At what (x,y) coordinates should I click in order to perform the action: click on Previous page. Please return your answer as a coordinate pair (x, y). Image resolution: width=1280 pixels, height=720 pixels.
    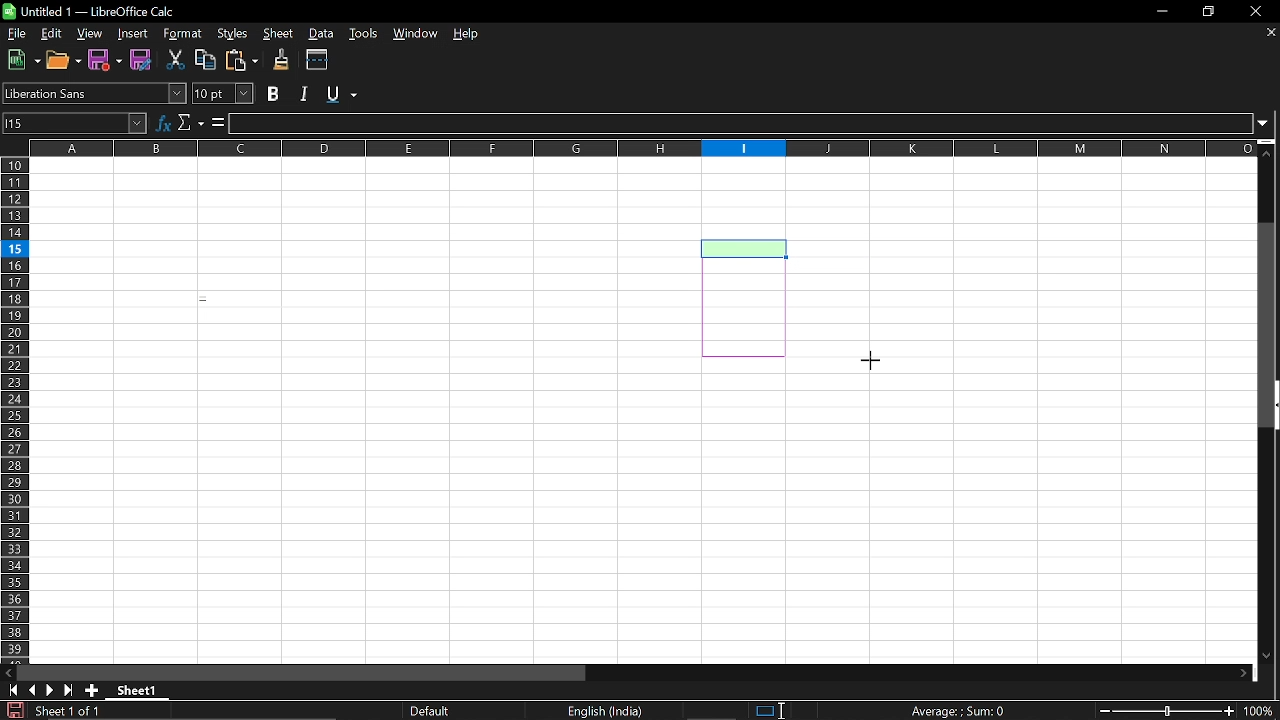
    Looking at the image, I should click on (34, 690).